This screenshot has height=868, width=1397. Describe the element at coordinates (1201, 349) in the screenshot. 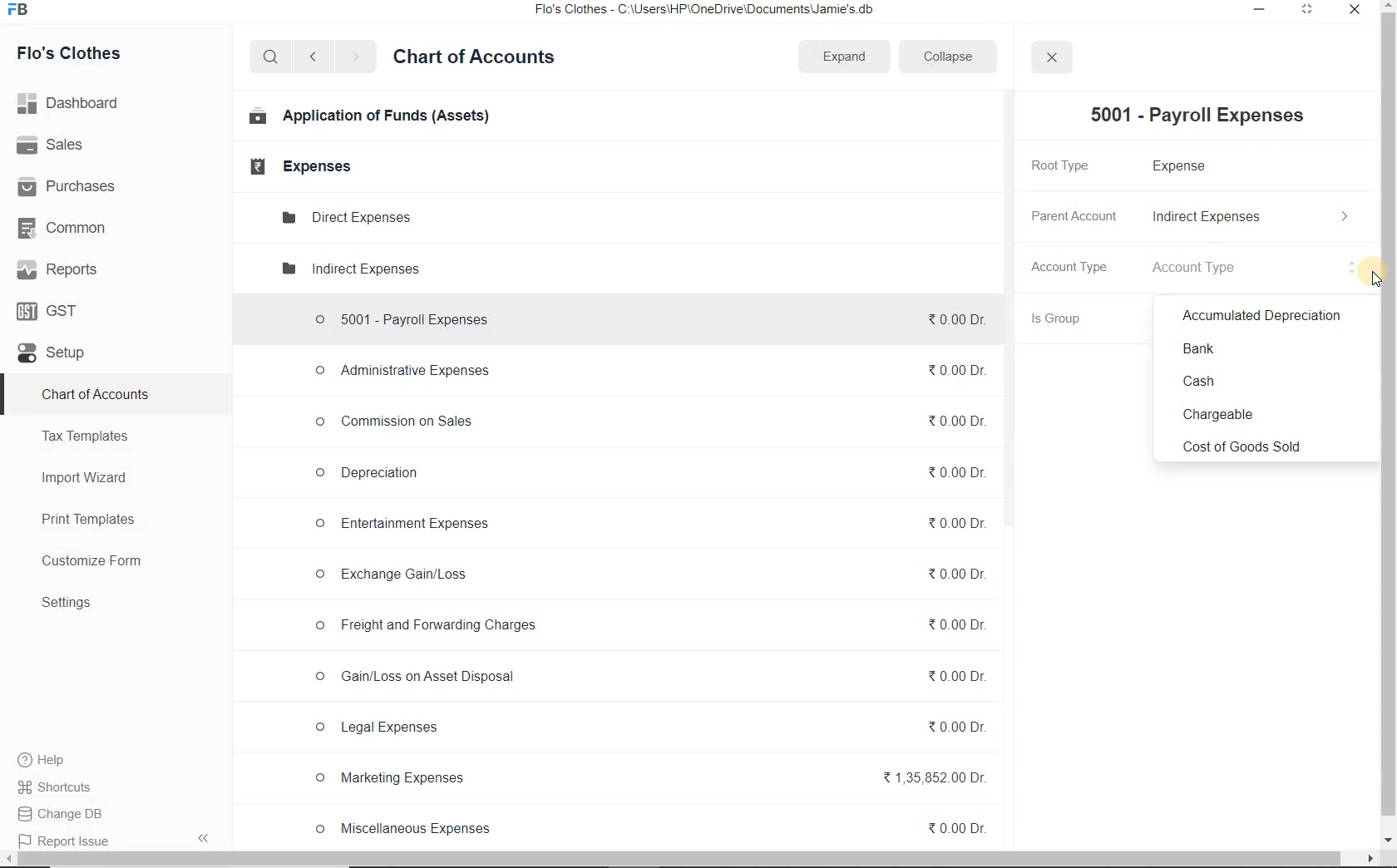

I see `Bank` at that location.